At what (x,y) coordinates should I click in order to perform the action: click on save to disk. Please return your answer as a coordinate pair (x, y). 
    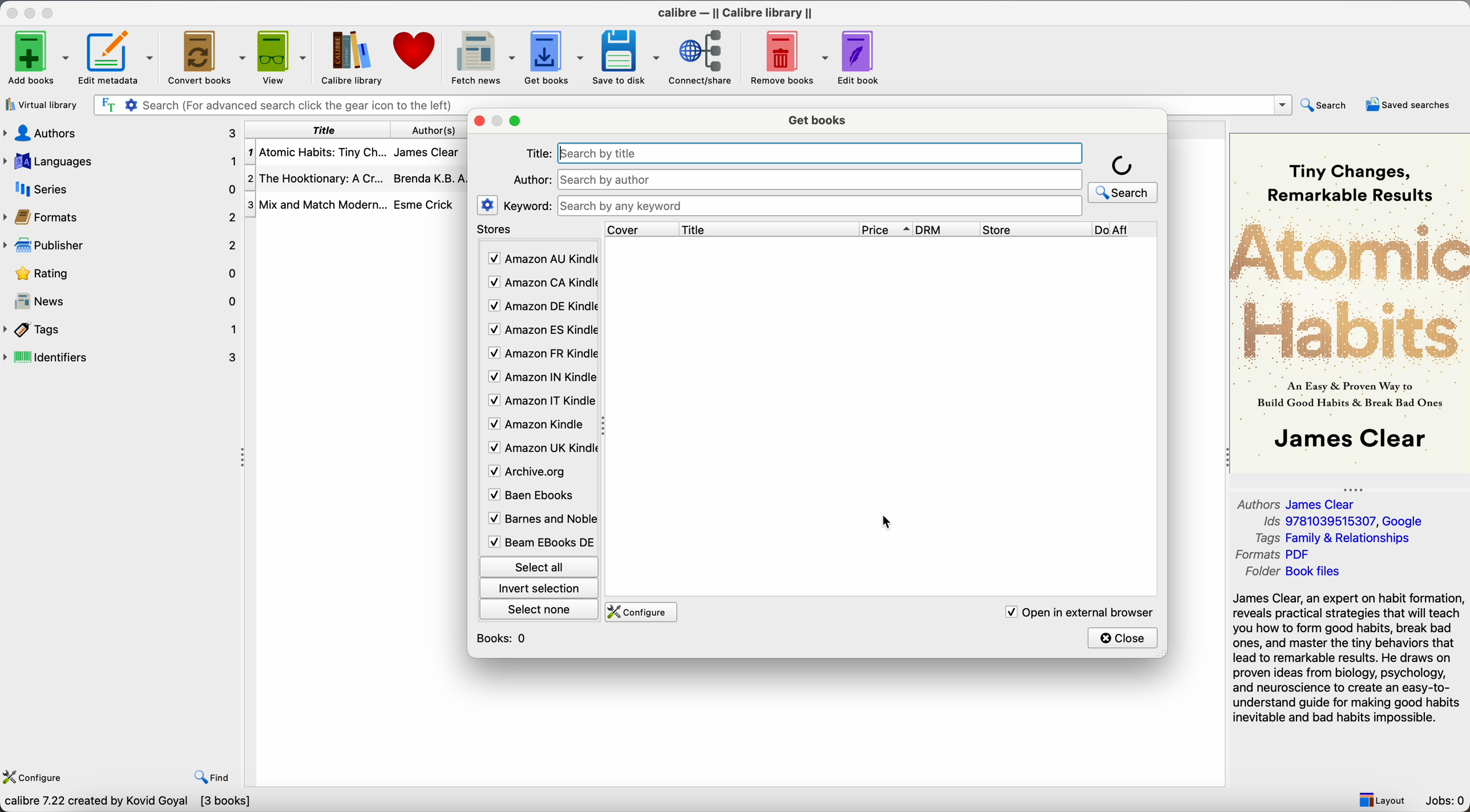
    Looking at the image, I should click on (625, 56).